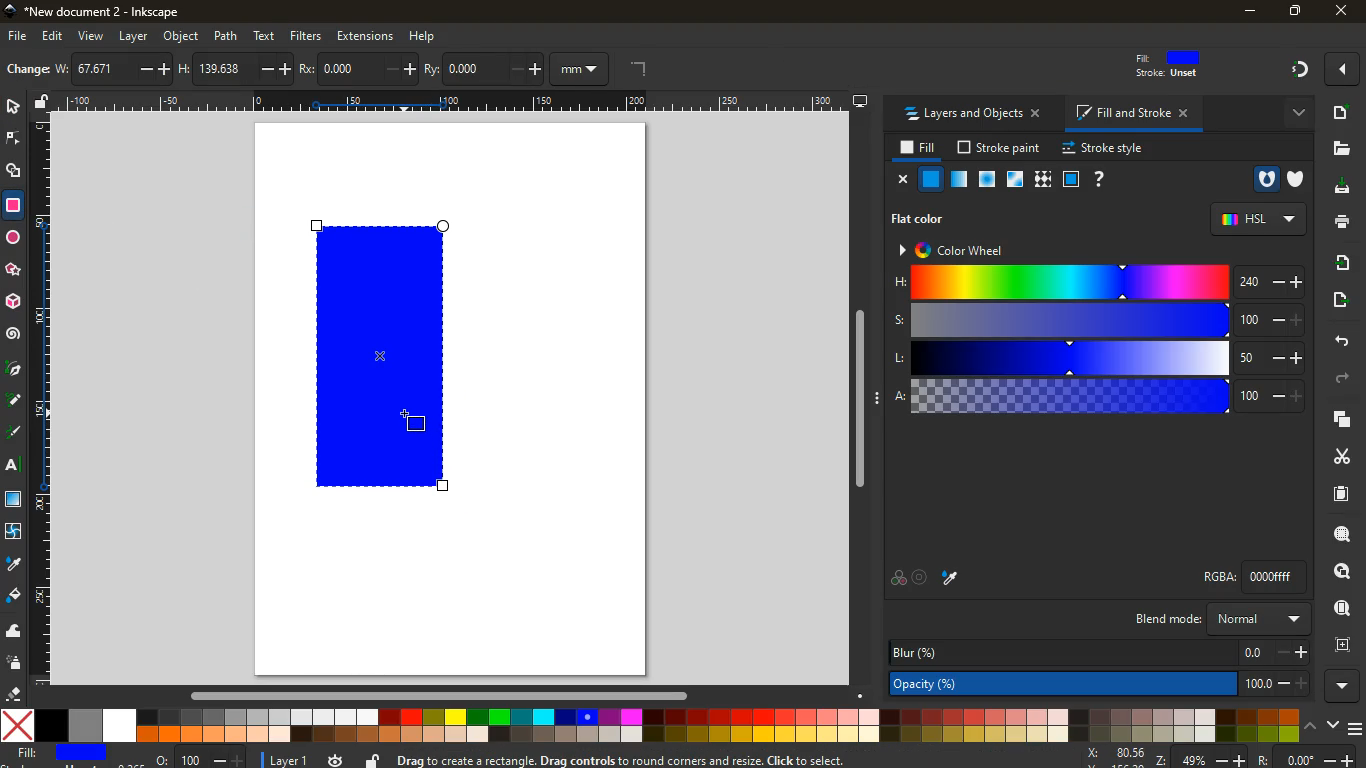 This screenshot has height=768, width=1366. Describe the element at coordinates (10, 108) in the screenshot. I see `select` at that location.